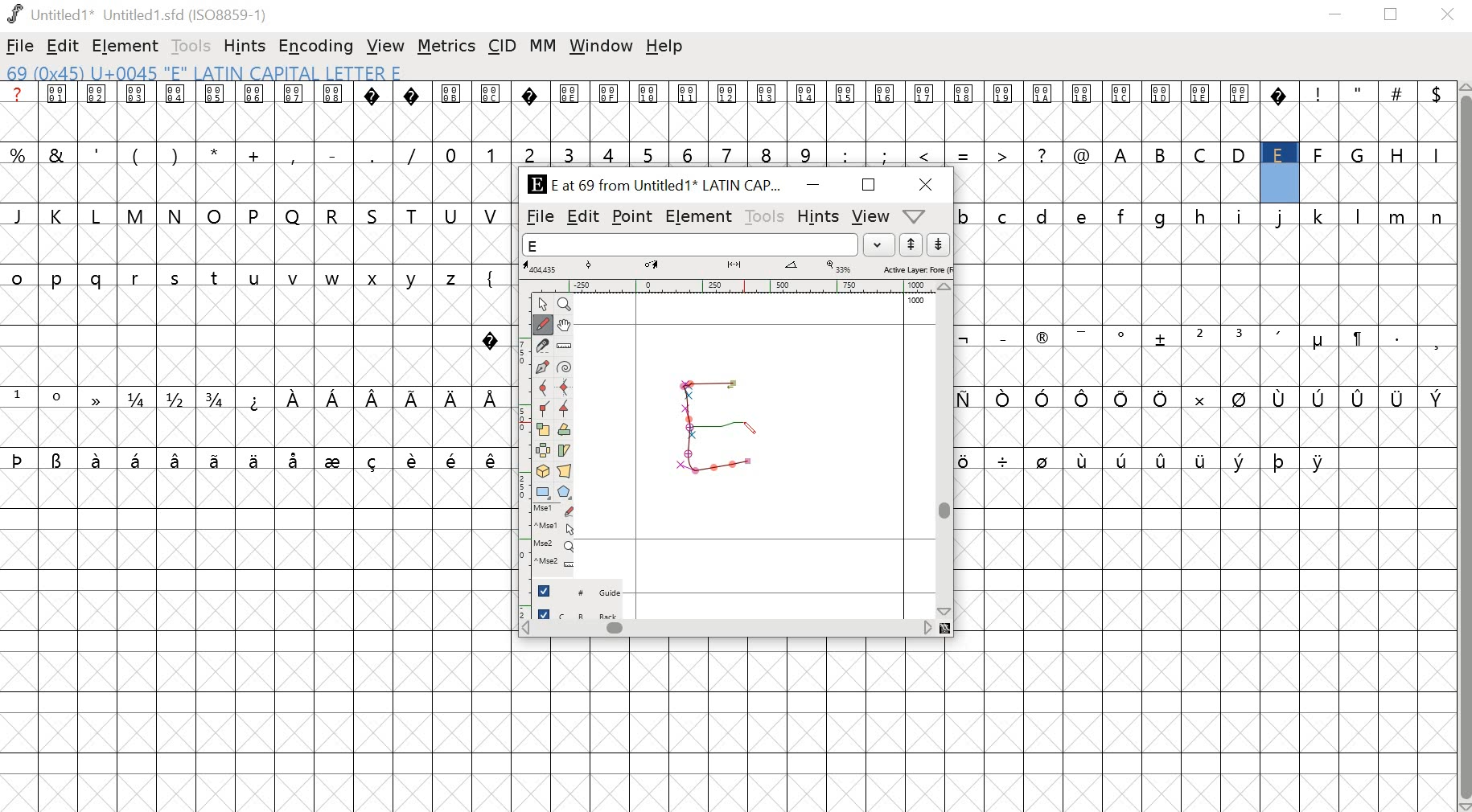  I want to click on HV Curve, so click(565, 388).